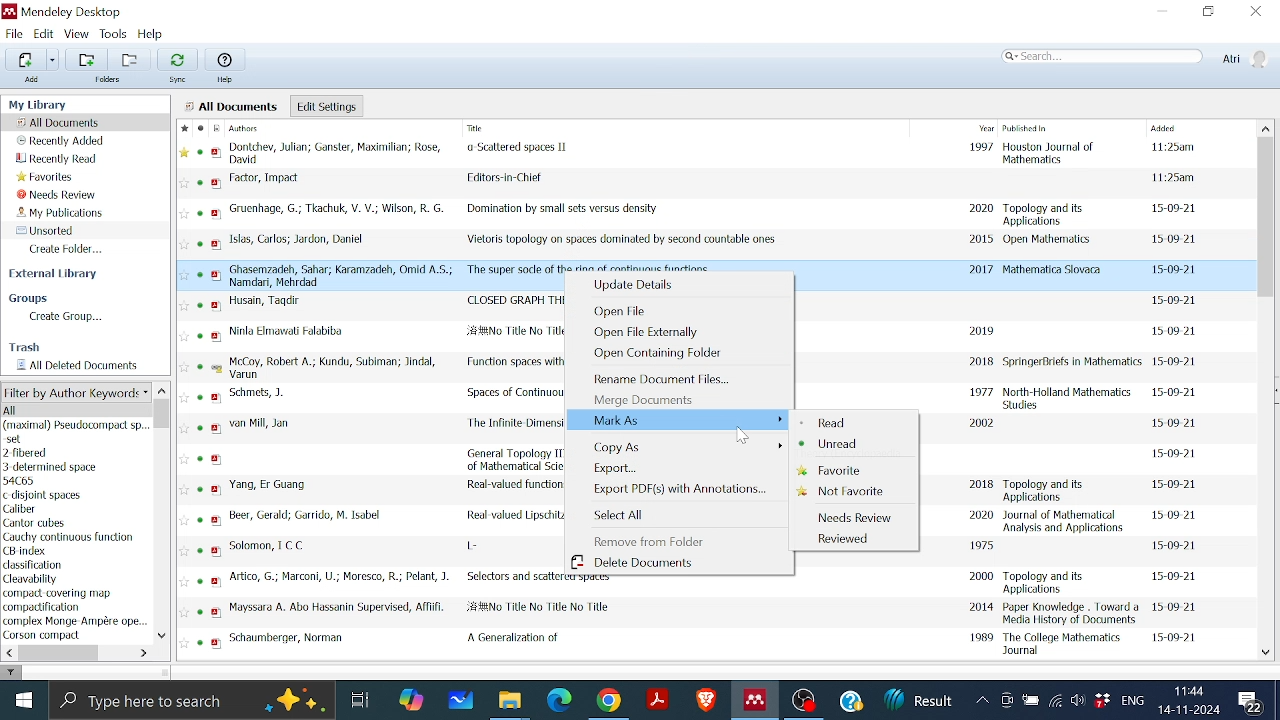  Describe the element at coordinates (1081, 521) in the screenshot. I see `document` at that location.